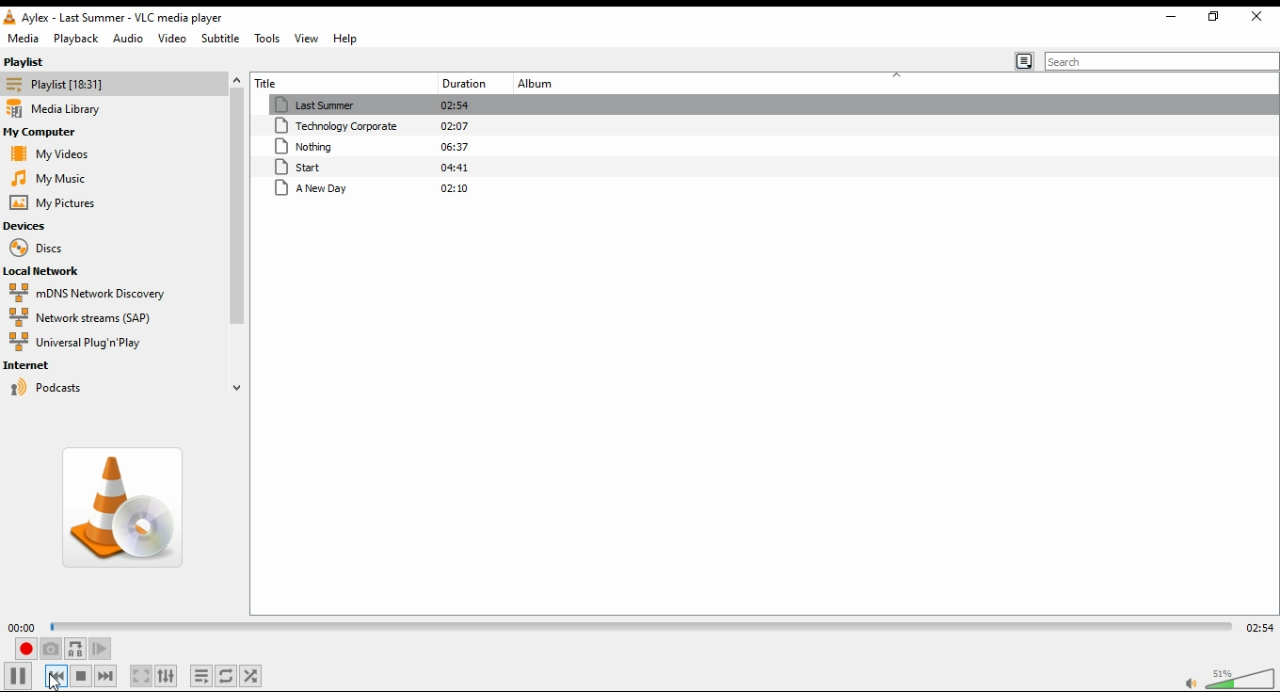 This screenshot has width=1280, height=692. Describe the element at coordinates (125, 38) in the screenshot. I see `audio` at that location.